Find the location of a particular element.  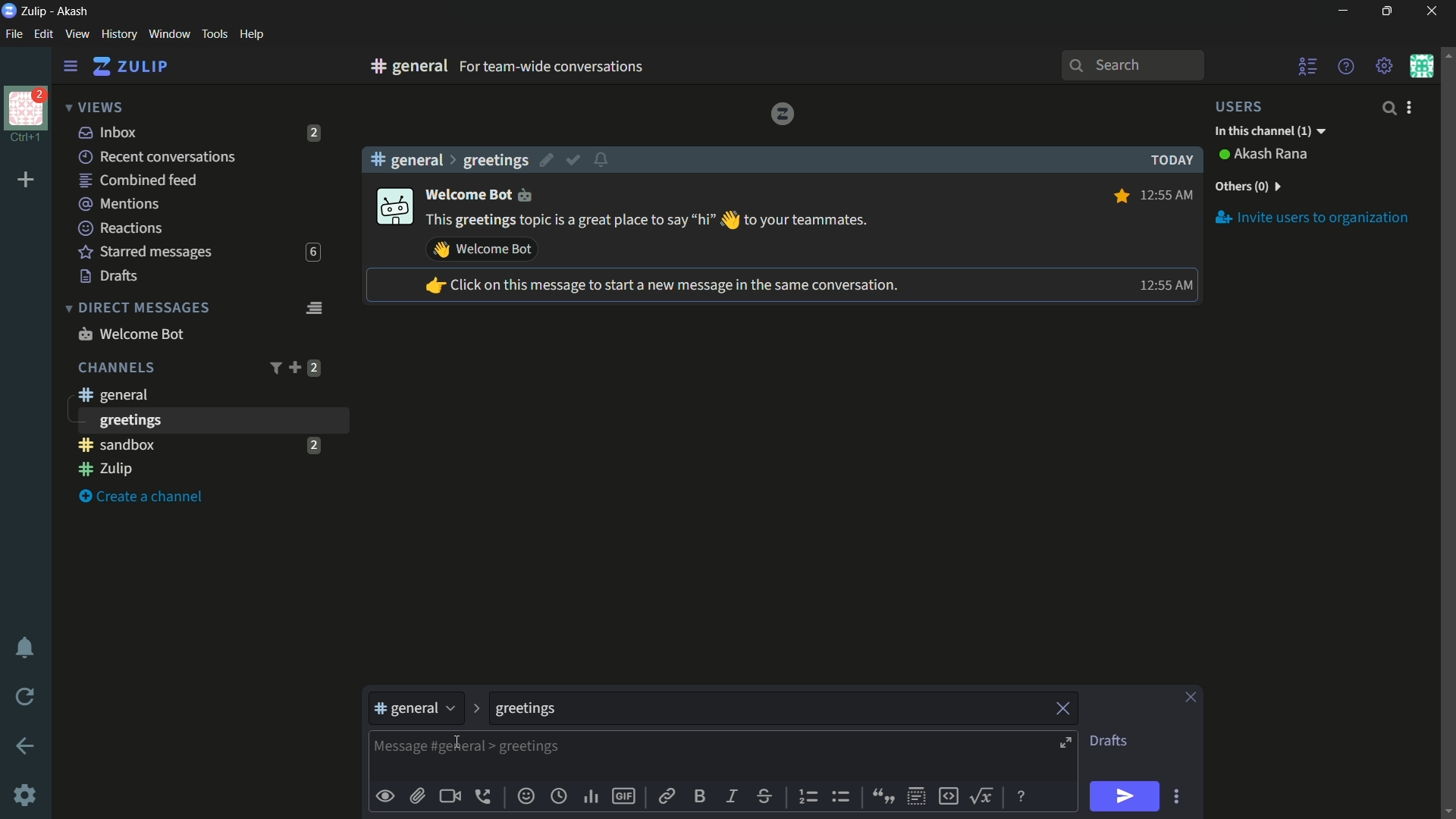

mentions is located at coordinates (121, 205).